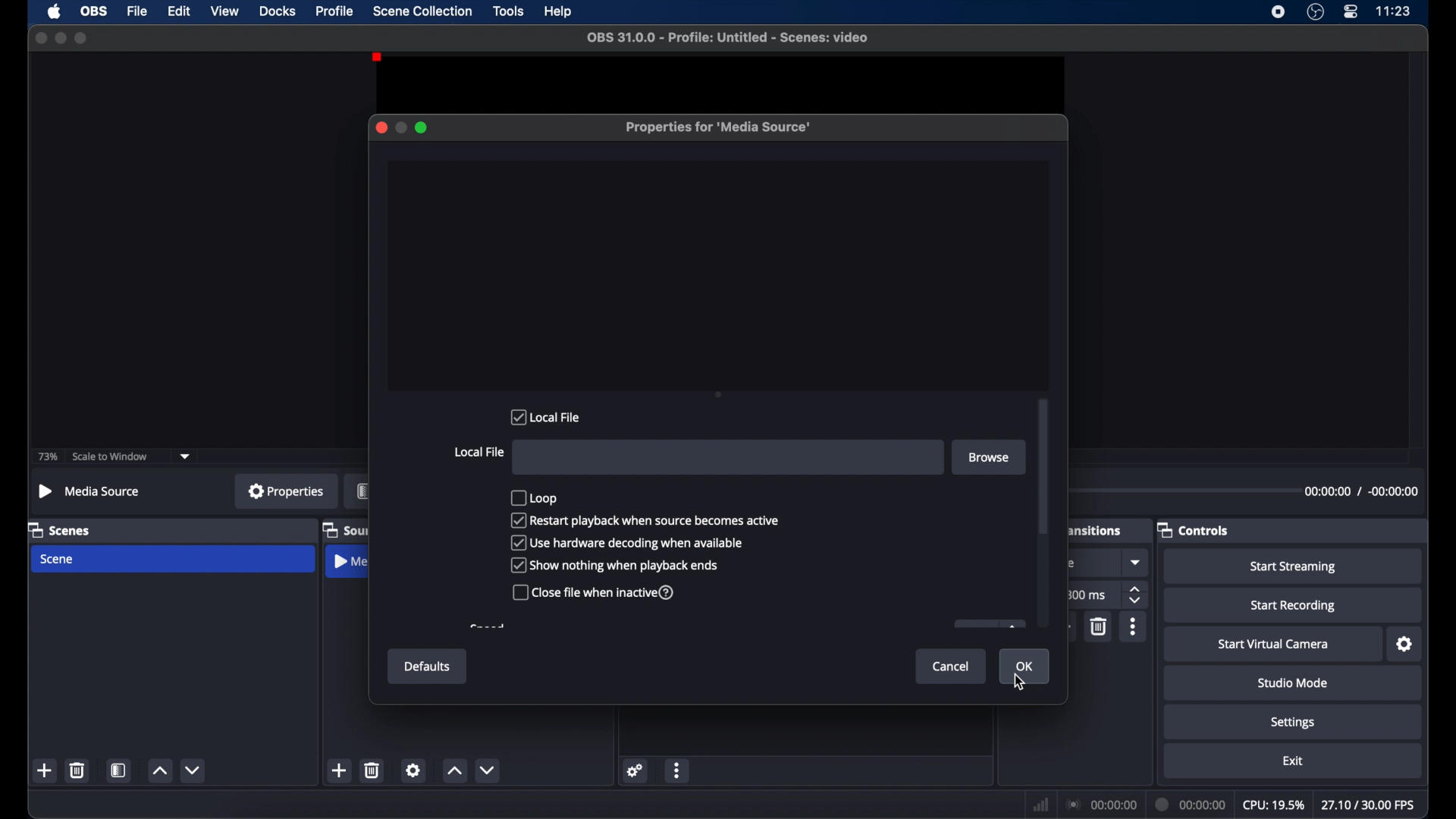  Describe the element at coordinates (1294, 606) in the screenshot. I see `start recording` at that location.